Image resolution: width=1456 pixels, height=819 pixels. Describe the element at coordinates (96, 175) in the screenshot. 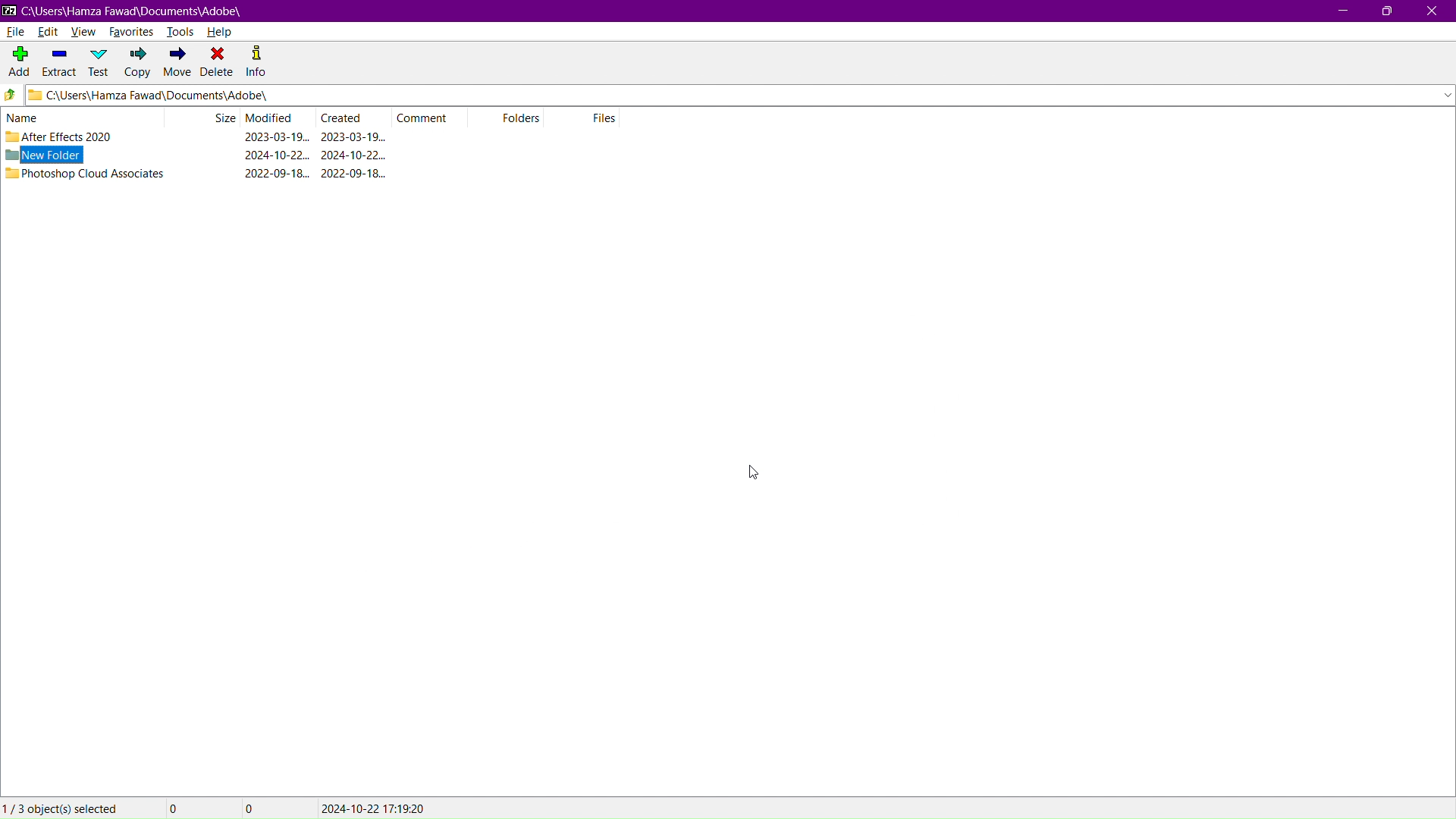

I see `Photoshop Cloud Associates` at that location.